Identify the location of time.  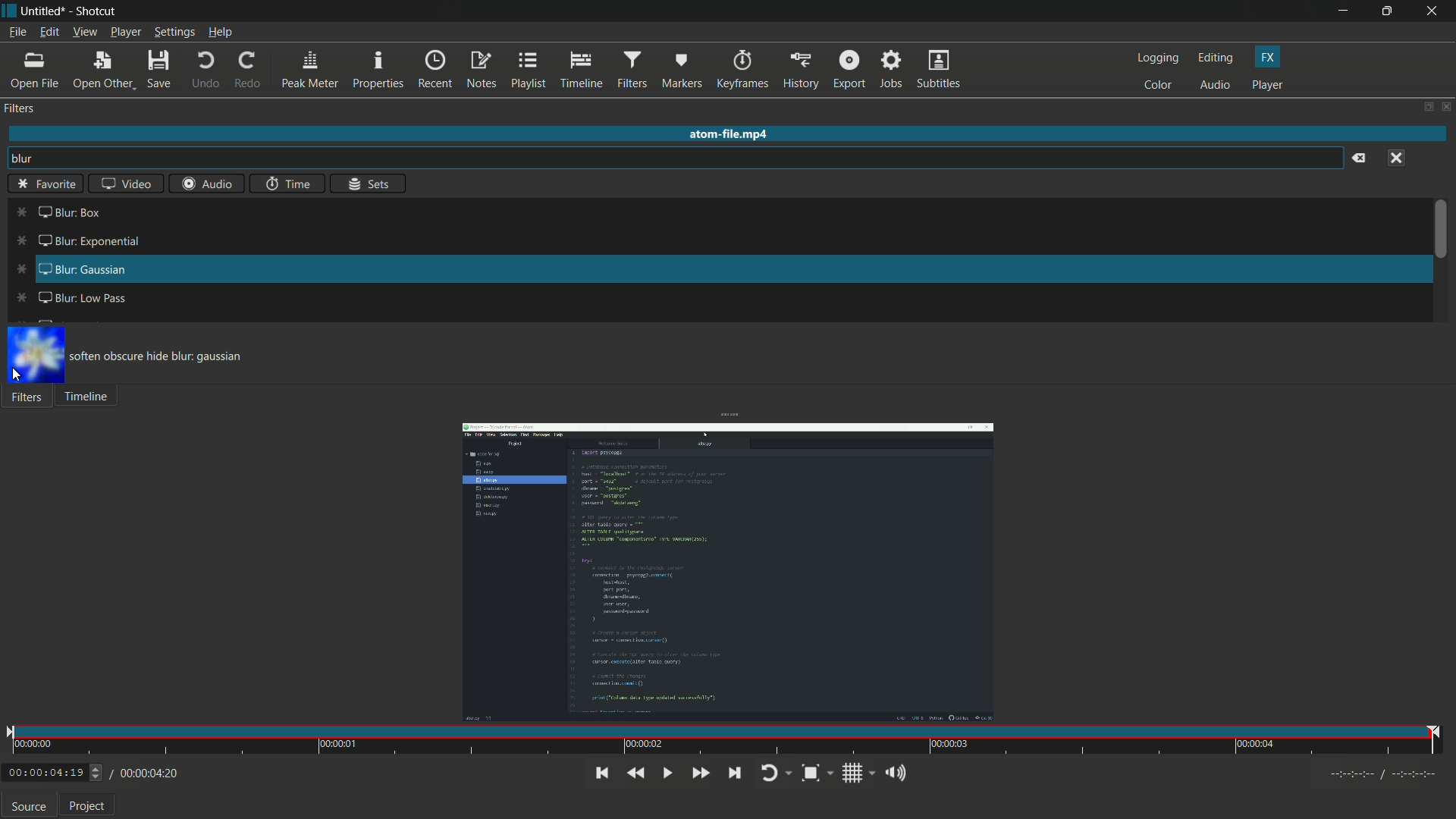
(289, 184).